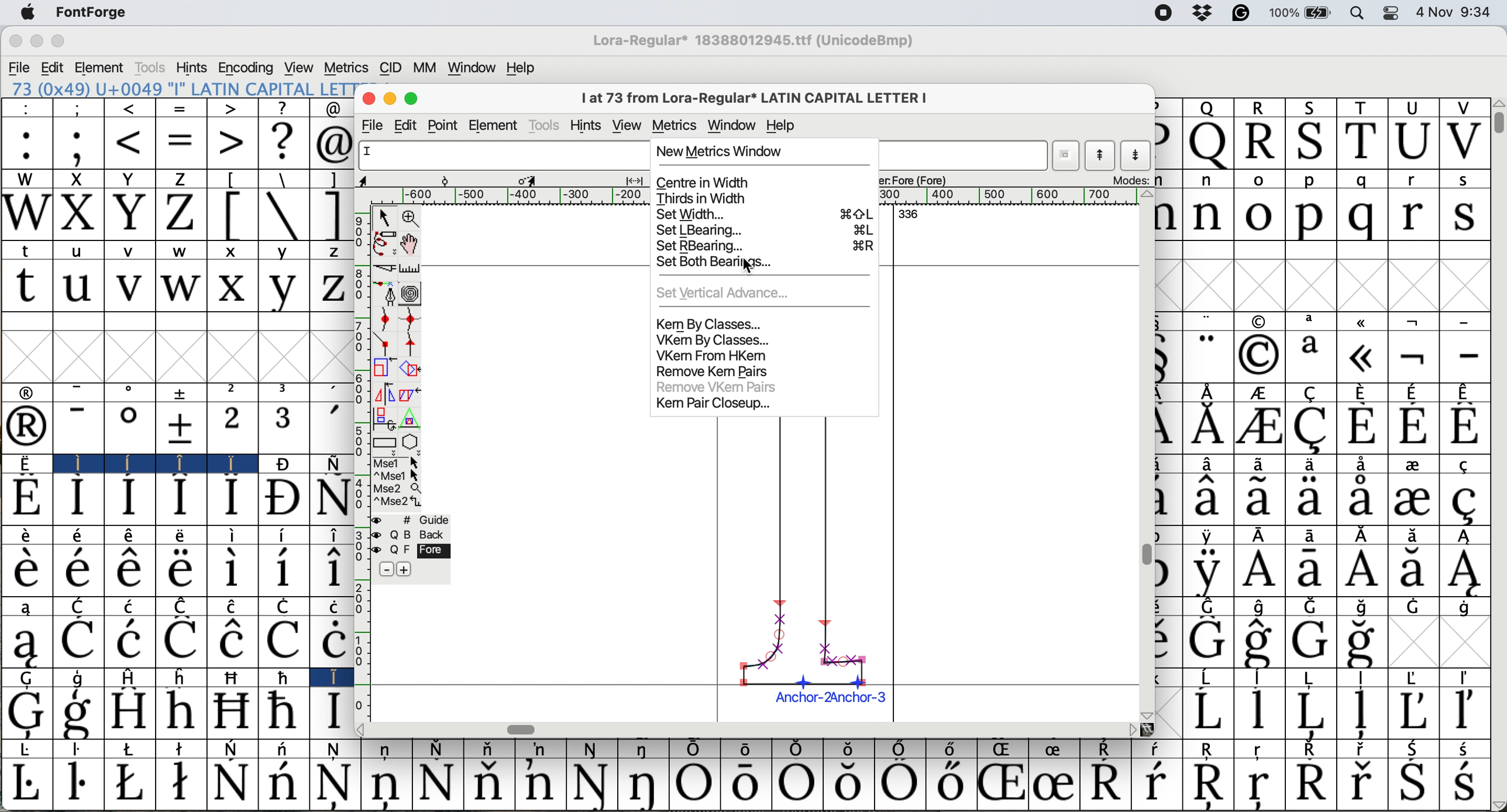 The width and height of the screenshot is (1507, 812). I want to click on [, so click(232, 180).